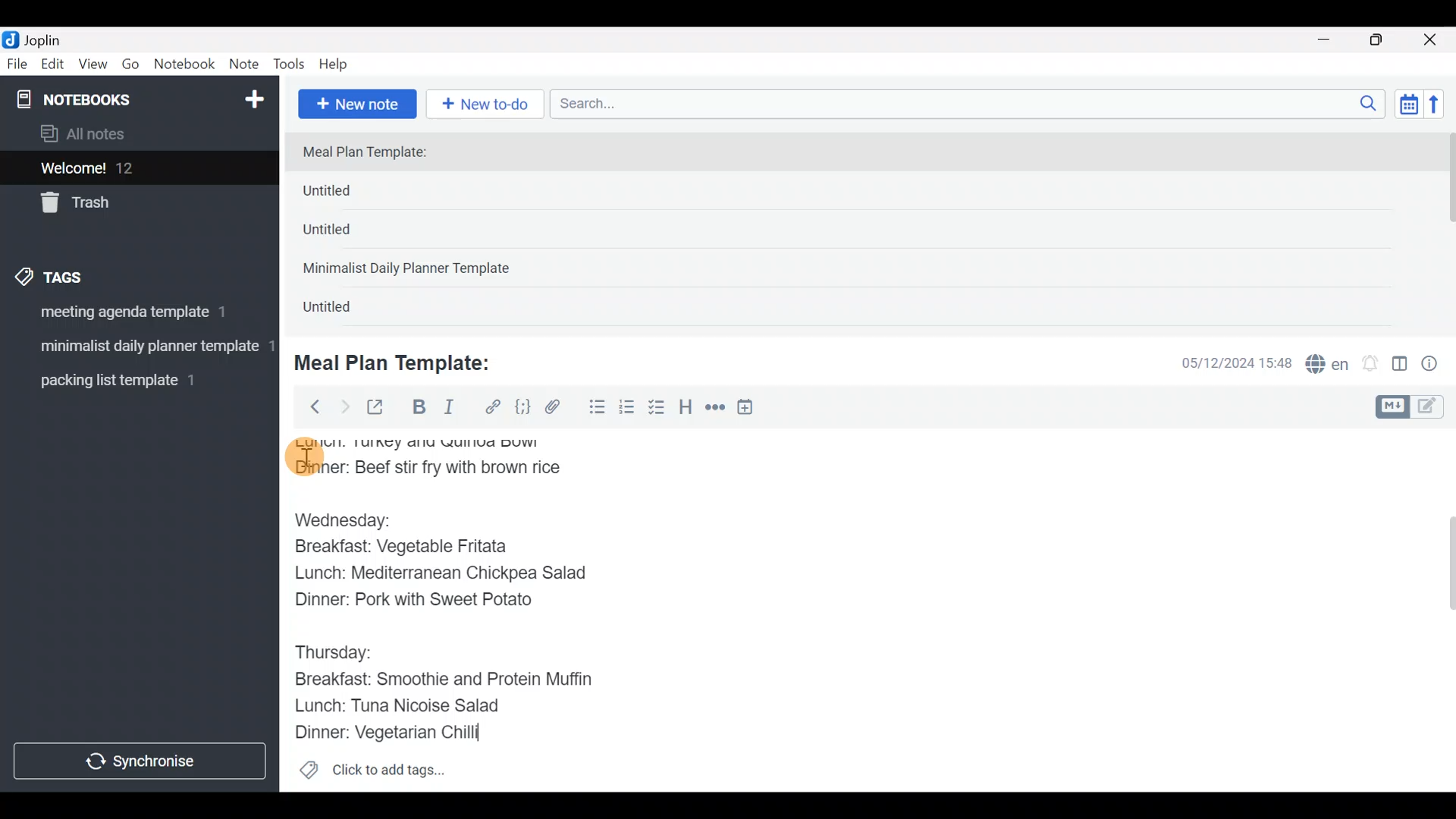 Image resolution: width=1456 pixels, height=819 pixels. I want to click on Scroll bar, so click(1440, 610).